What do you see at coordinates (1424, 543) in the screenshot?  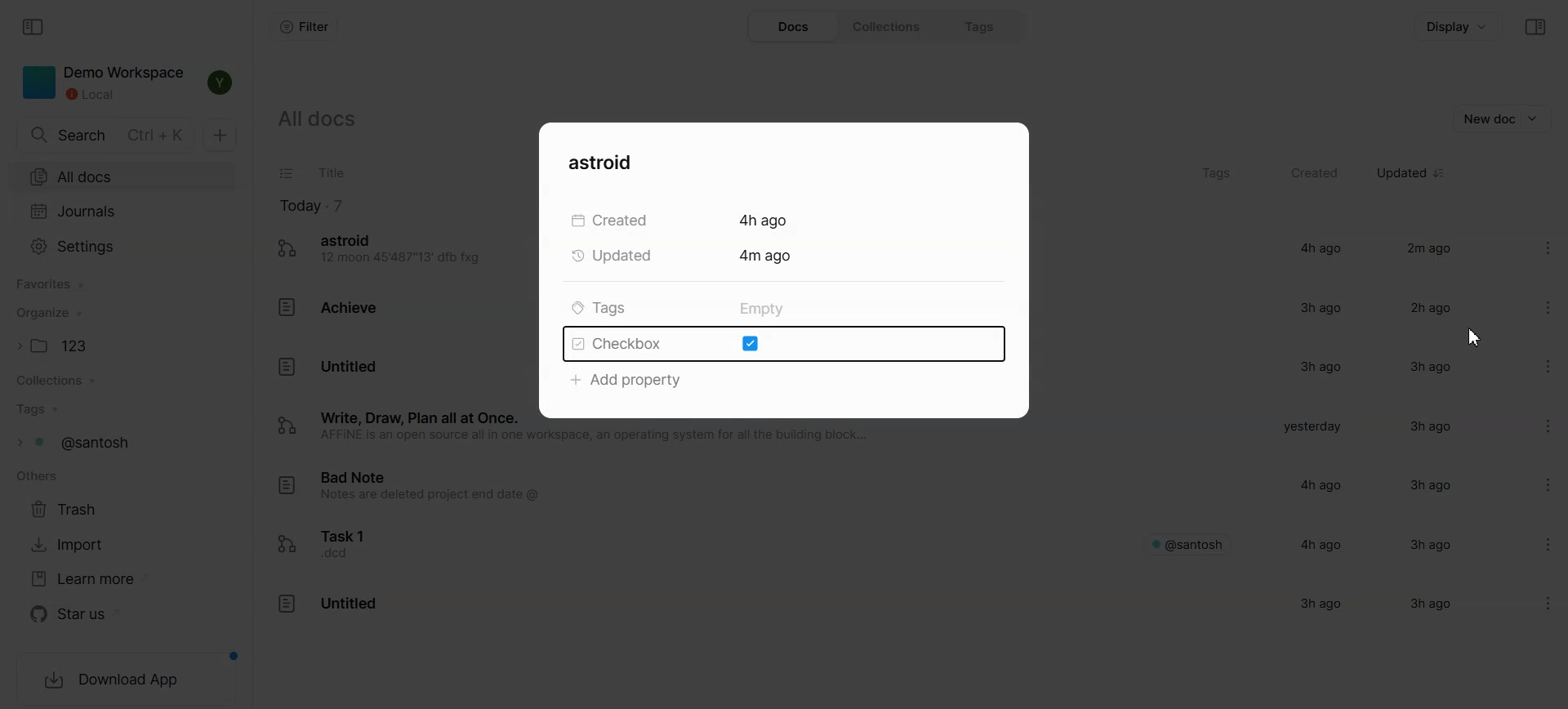 I see `3hago` at bounding box center [1424, 543].